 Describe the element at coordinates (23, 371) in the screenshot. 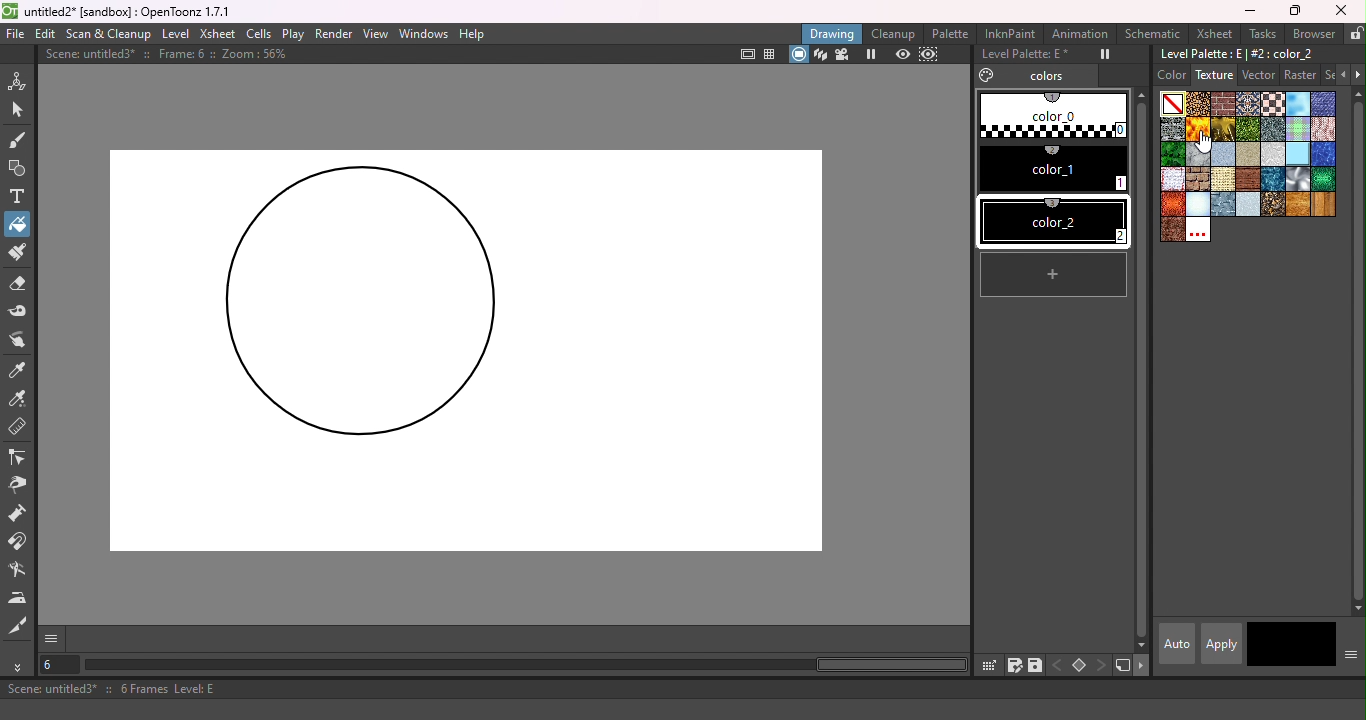

I see `Style picker tool` at that location.